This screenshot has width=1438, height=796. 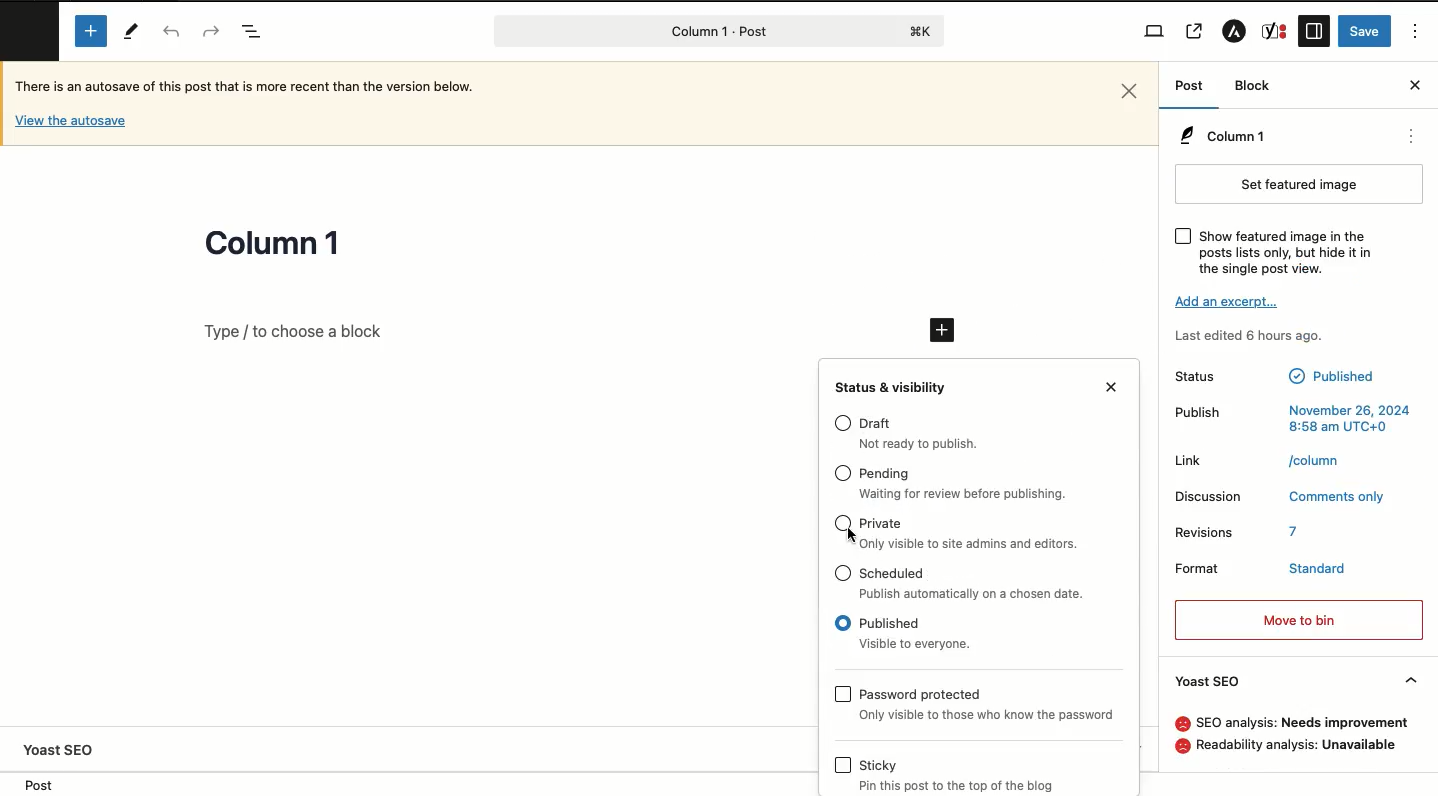 I want to click on Close, so click(x=1415, y=84).